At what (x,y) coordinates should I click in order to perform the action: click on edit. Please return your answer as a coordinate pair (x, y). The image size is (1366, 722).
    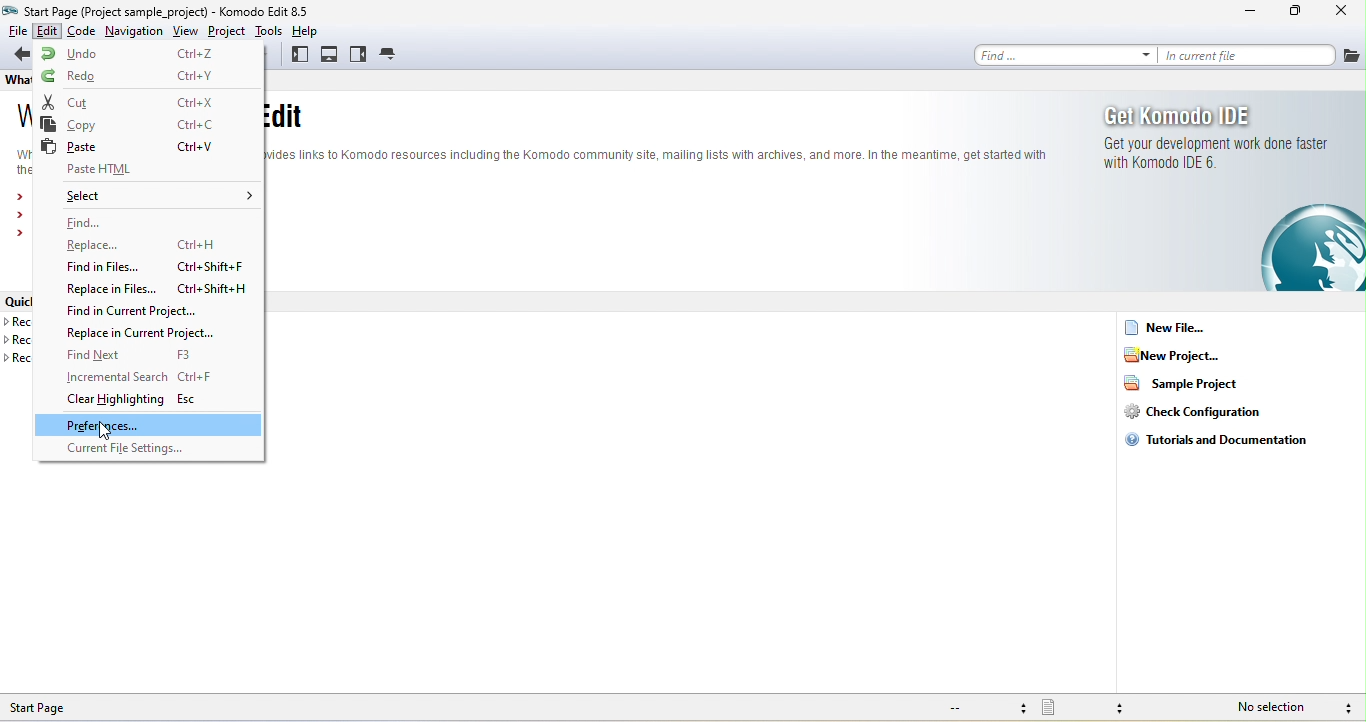
    Looking at the image, I should click on (47, 31).